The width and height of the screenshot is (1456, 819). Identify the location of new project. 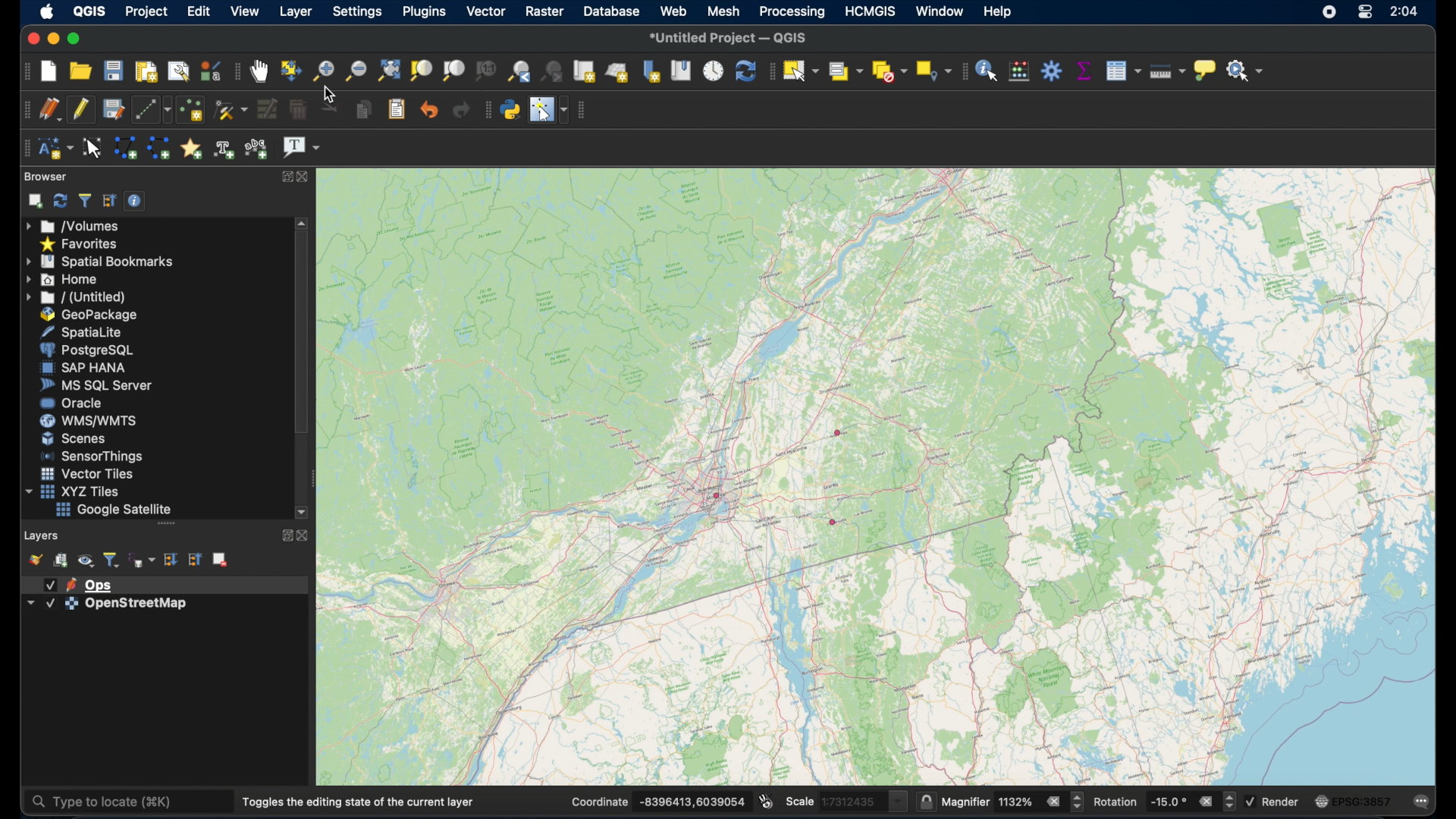
(49, 72).